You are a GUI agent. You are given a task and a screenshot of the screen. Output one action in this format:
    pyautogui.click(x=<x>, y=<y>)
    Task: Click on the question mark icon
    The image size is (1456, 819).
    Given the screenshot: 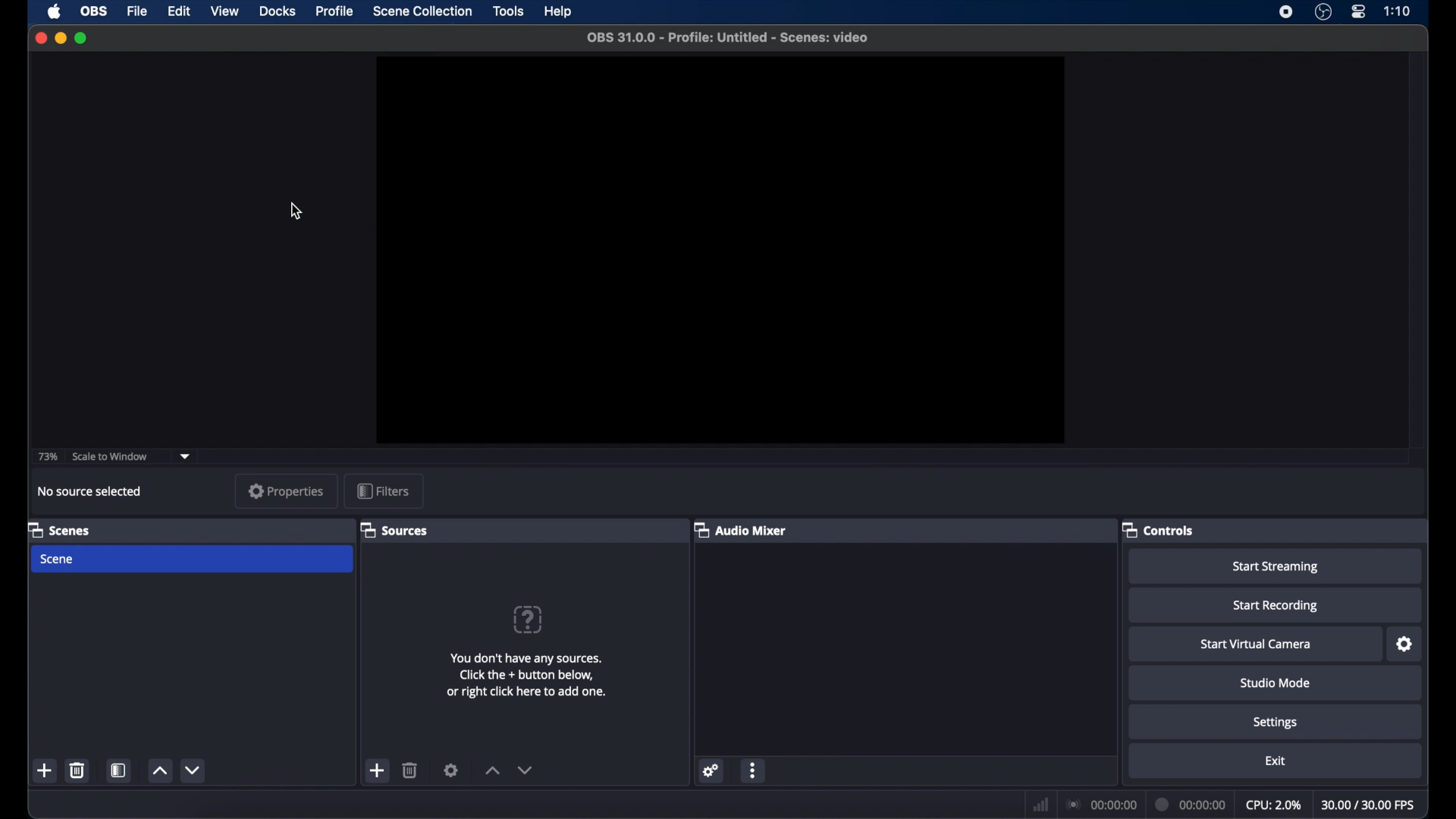 What is the action you would take?
    pyautogui.click(x=529, y=624)
    